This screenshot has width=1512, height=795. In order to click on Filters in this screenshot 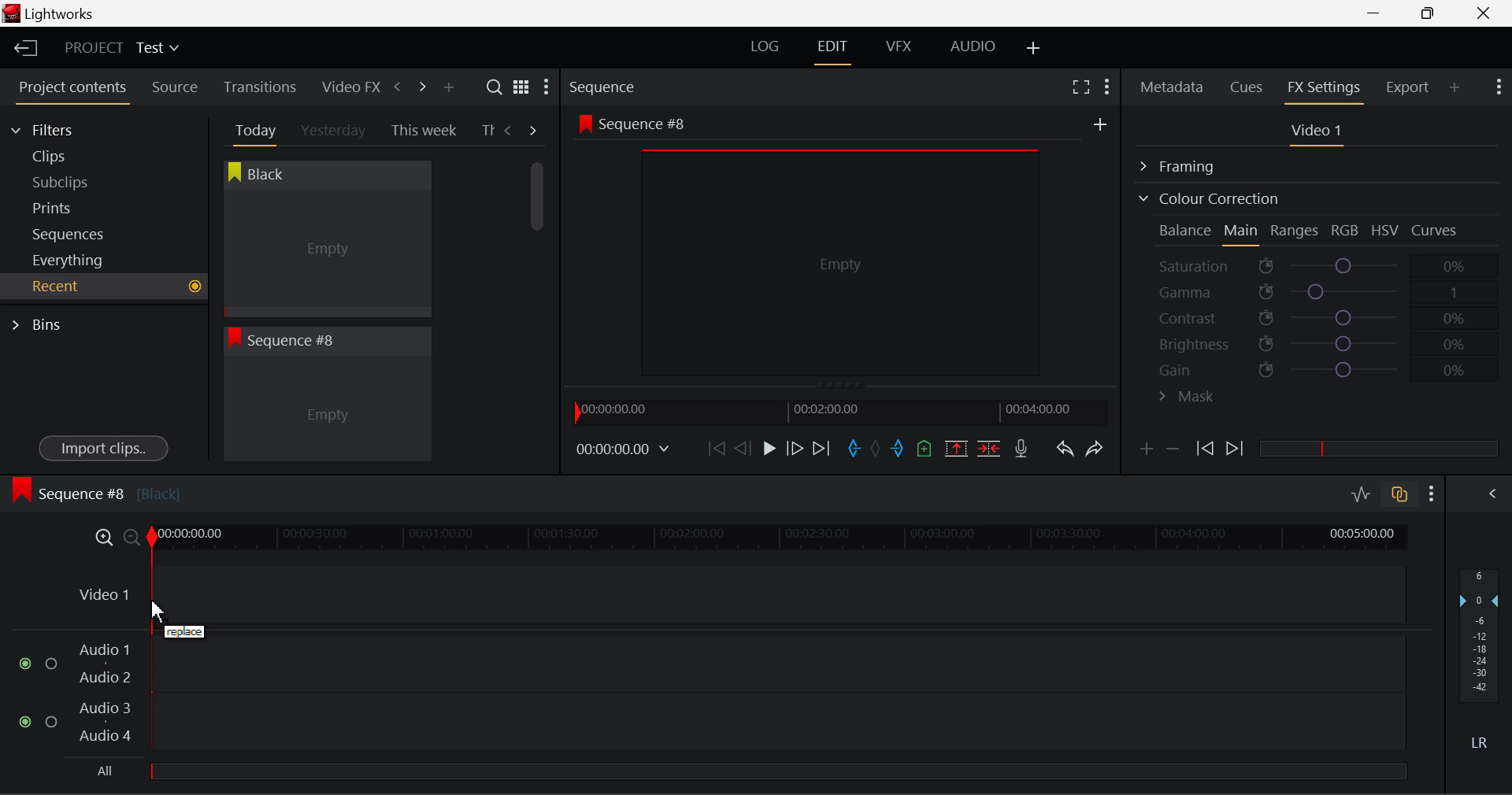, I will do `click(57, 128)`.